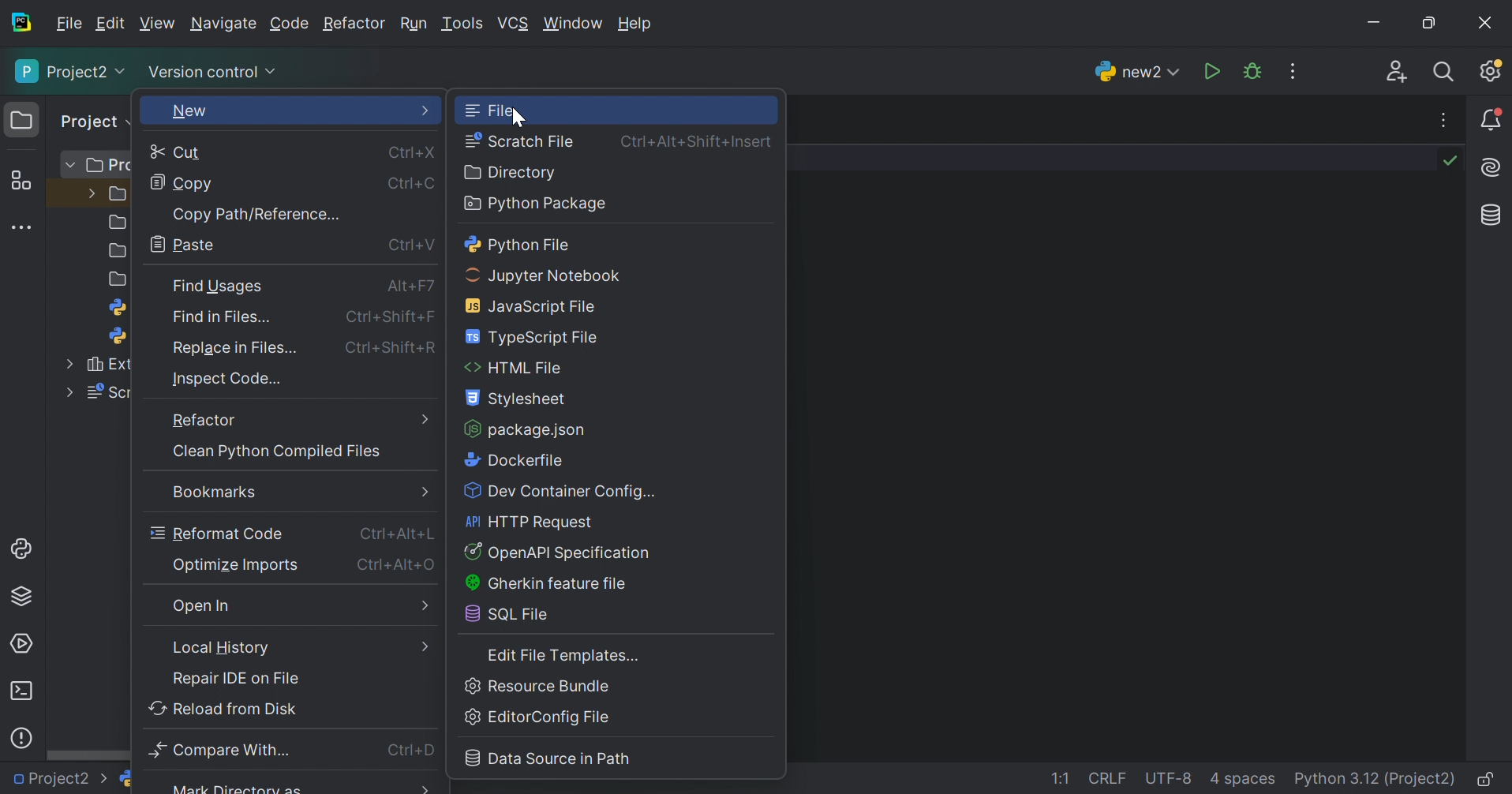  Describe the element at coordinates (515, 118) in the screenshot. I see `Cuursor` at that location.